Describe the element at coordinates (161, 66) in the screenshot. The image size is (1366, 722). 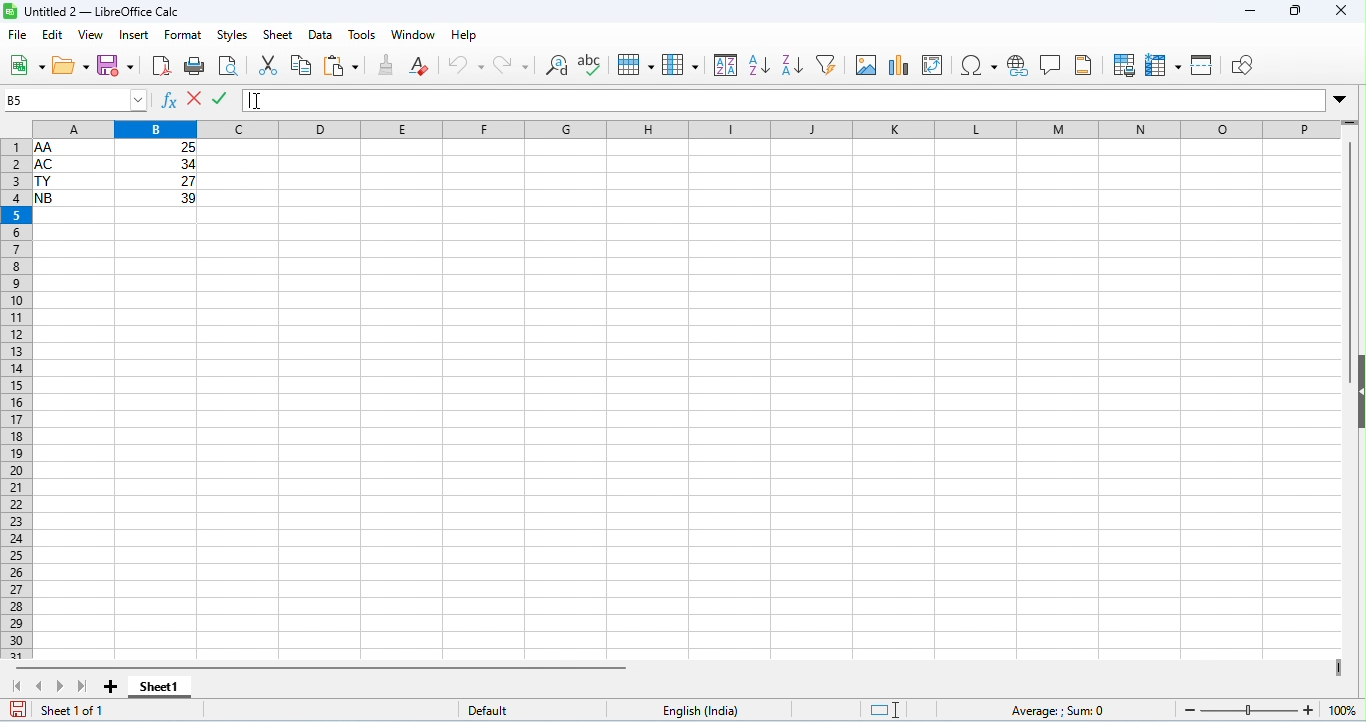
I see `export pdf` at that location.